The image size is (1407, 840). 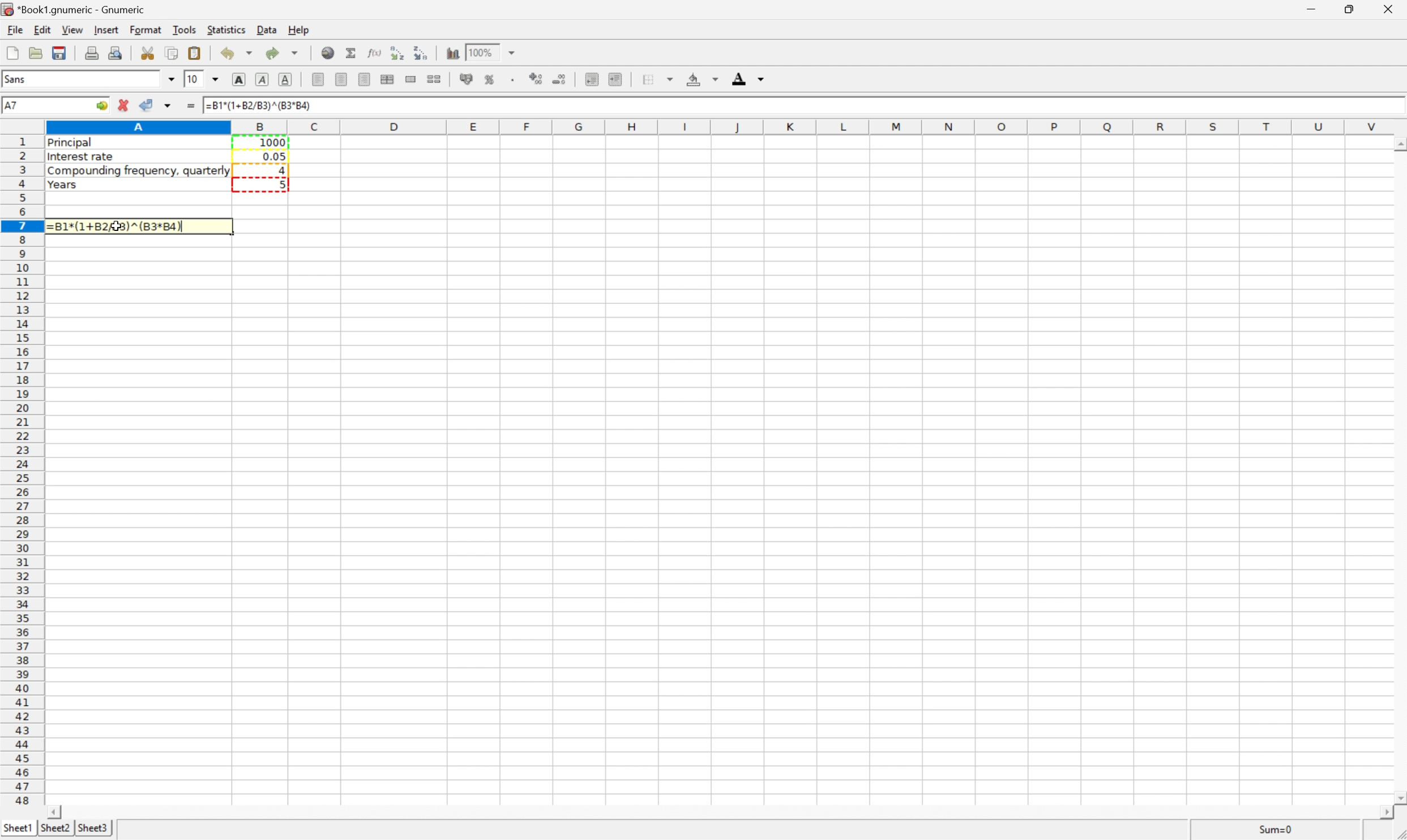 What do you see at coordinates (1384, 816) in the screenshot?
I see `scroll right` at bounding box center [1384, 816].